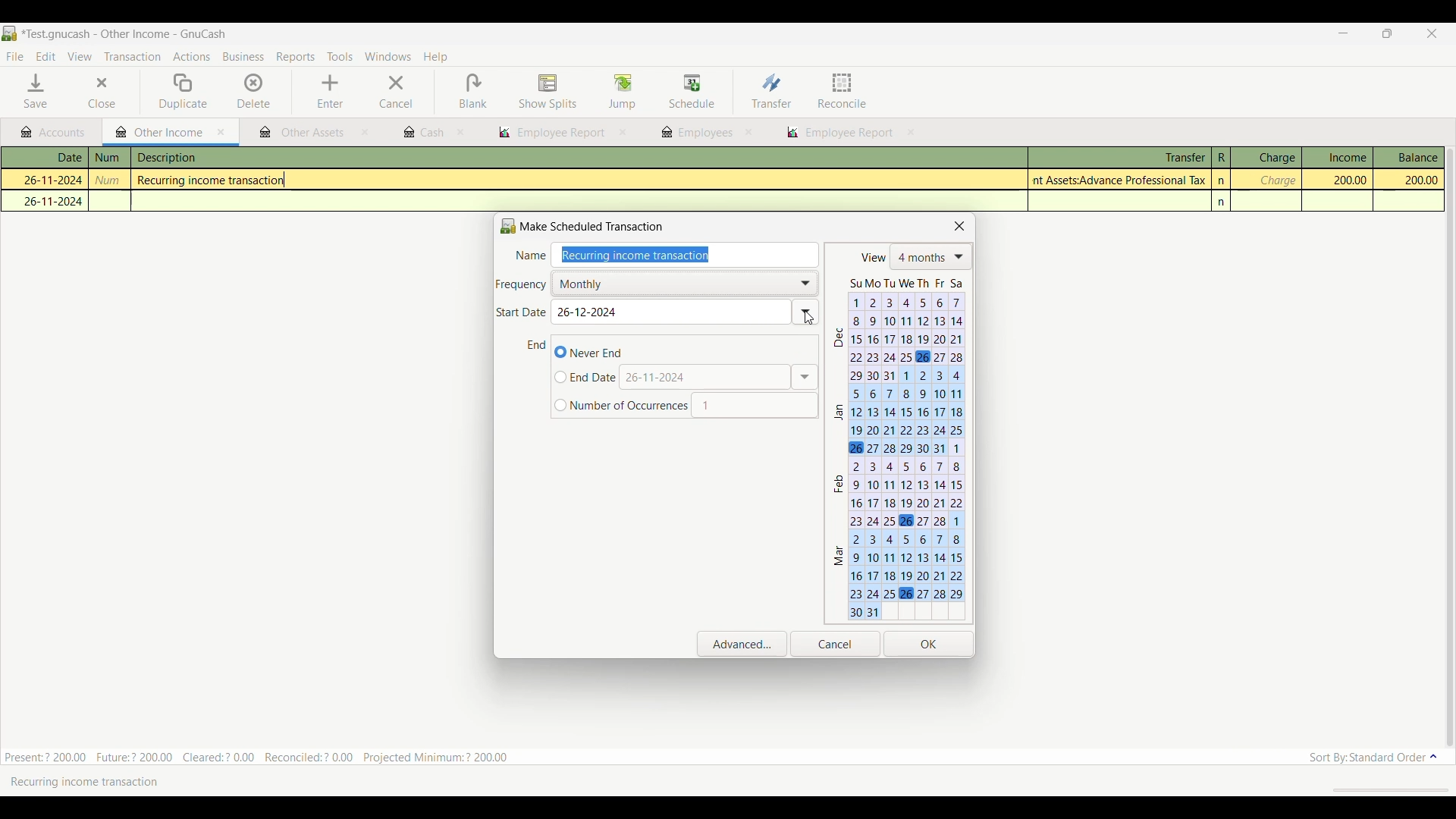 This screenshot has height=819, width=1456. I want to click on Business menu, so click(243, 58).